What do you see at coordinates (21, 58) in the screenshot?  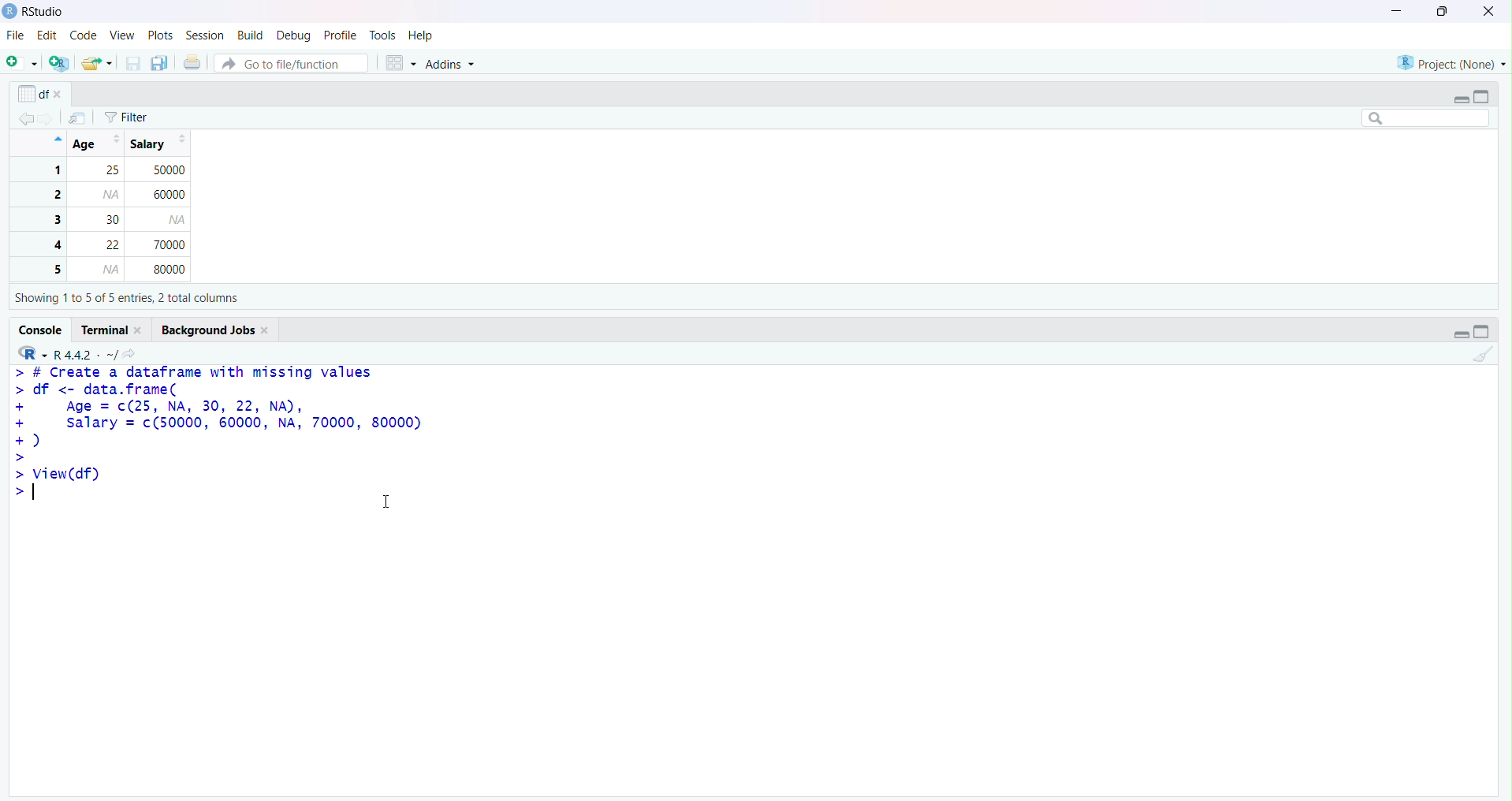 I see `New File` at bounding box center [21, 58].